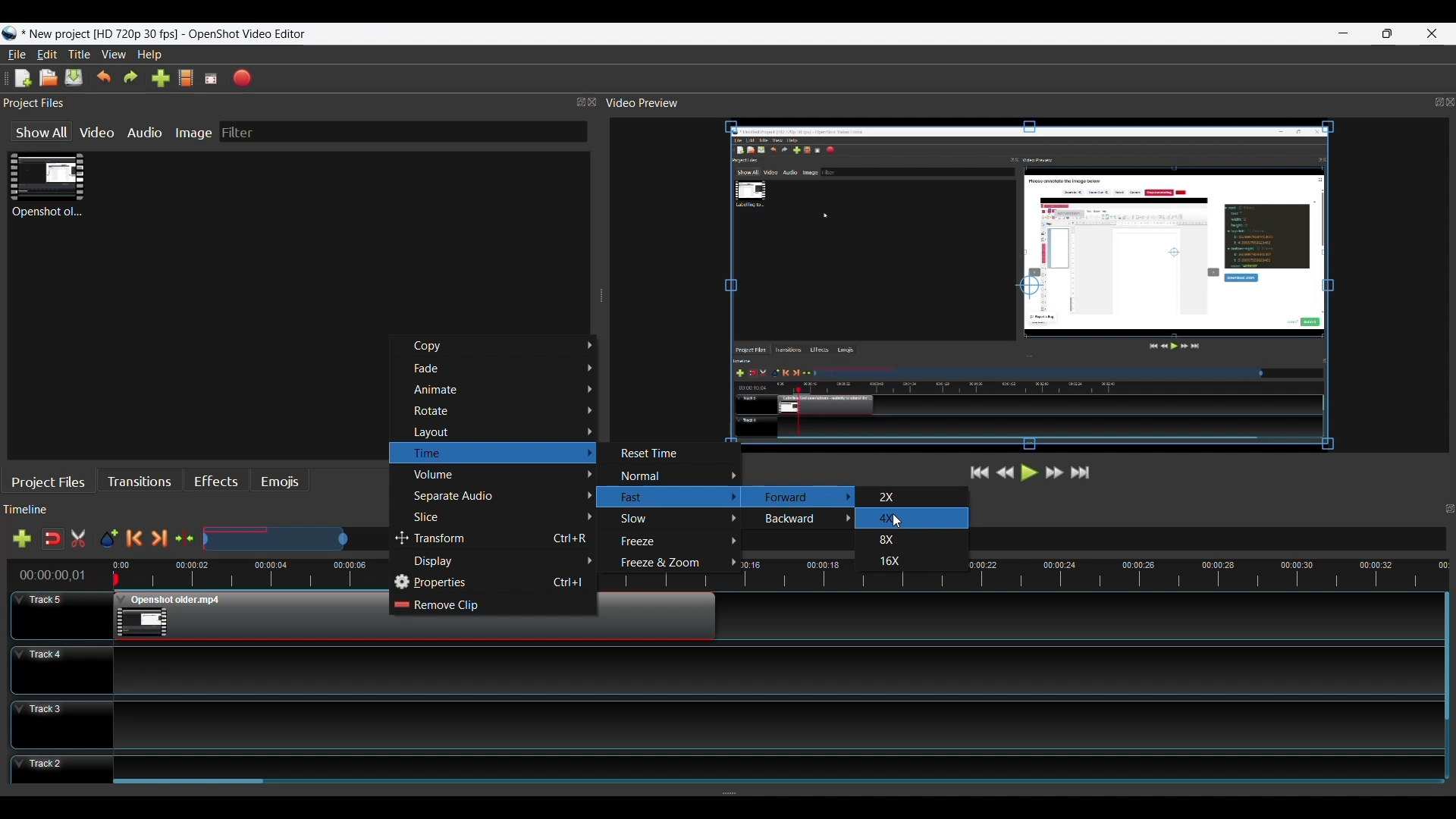 Image resolution: width=1456 pixels, height=819 pixels. I want to click on Restore, so click(1389, 33).